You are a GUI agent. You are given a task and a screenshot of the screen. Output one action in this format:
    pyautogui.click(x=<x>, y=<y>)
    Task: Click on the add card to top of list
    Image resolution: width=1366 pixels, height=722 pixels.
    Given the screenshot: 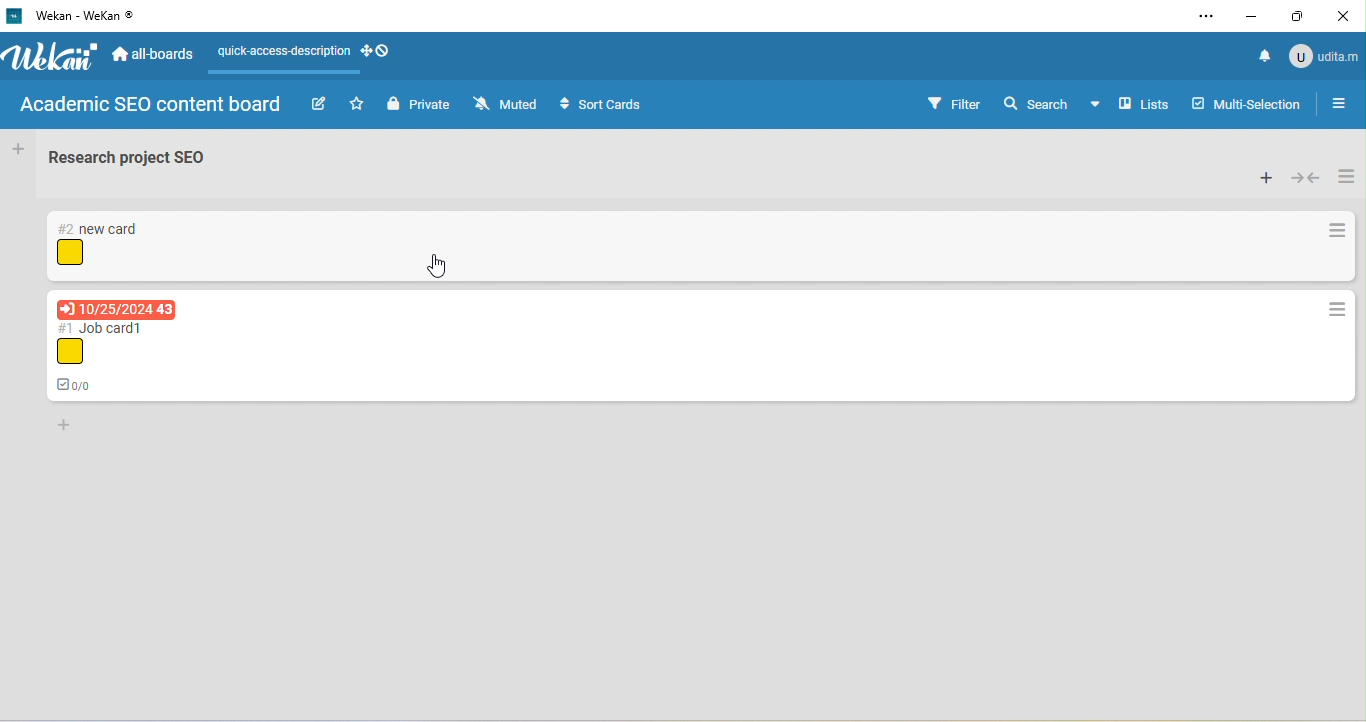 What is the action you would take?
    pyautogui.click(x=1265, y=178)
    